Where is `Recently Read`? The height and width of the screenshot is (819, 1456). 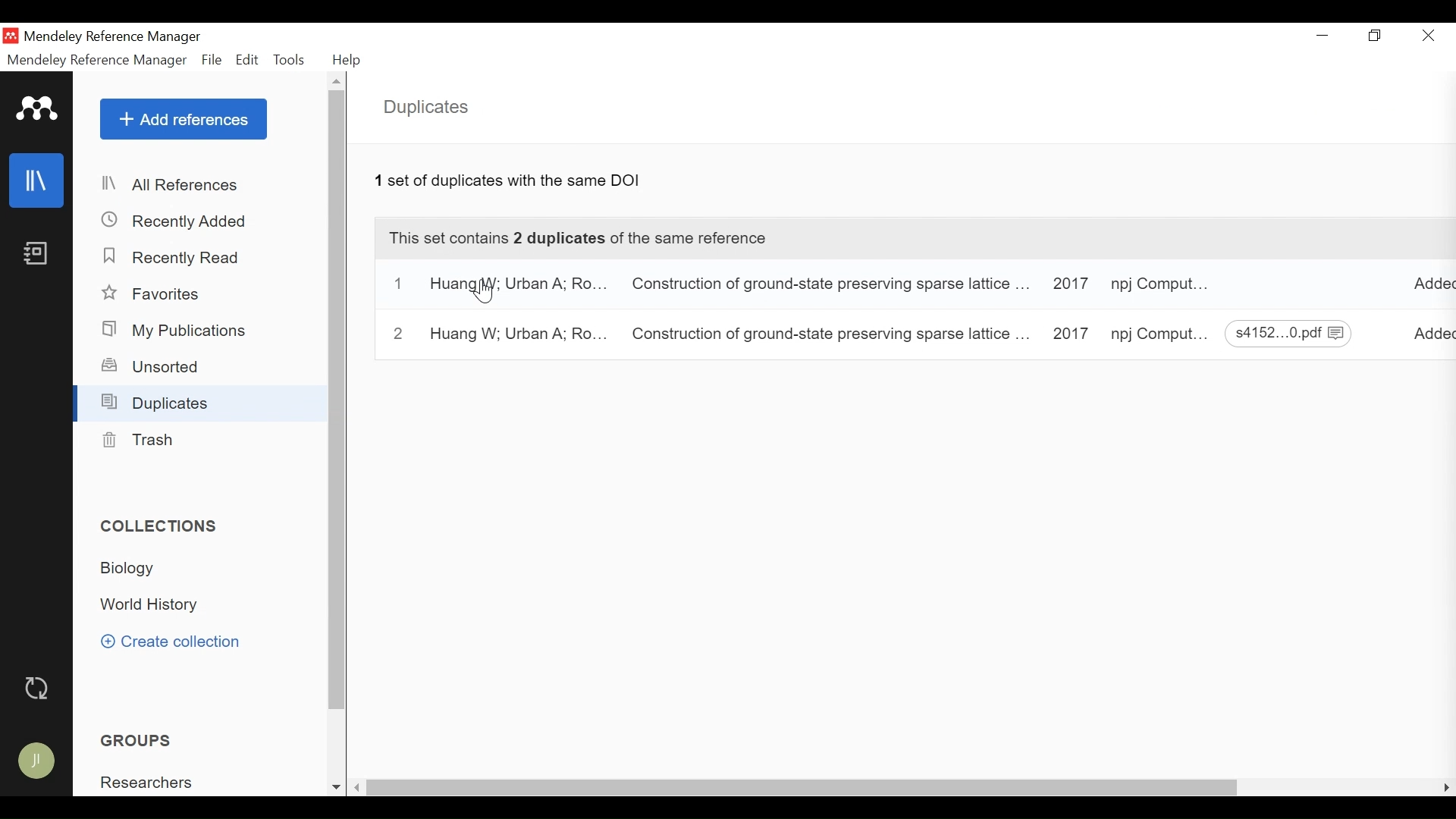 Recently Read is located at coordinates (175, 256).